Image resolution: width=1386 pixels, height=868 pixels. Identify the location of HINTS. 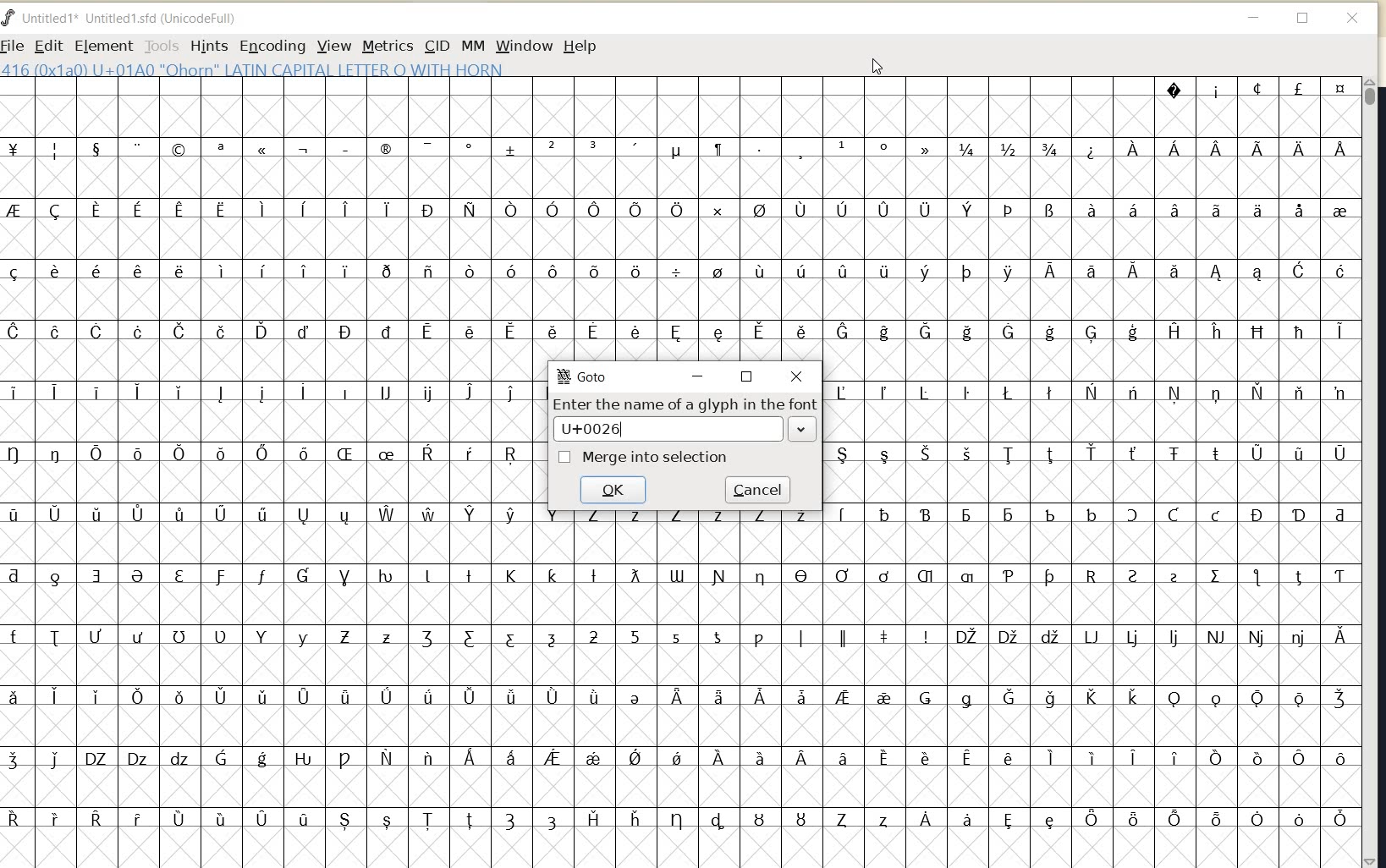
(208, 47).